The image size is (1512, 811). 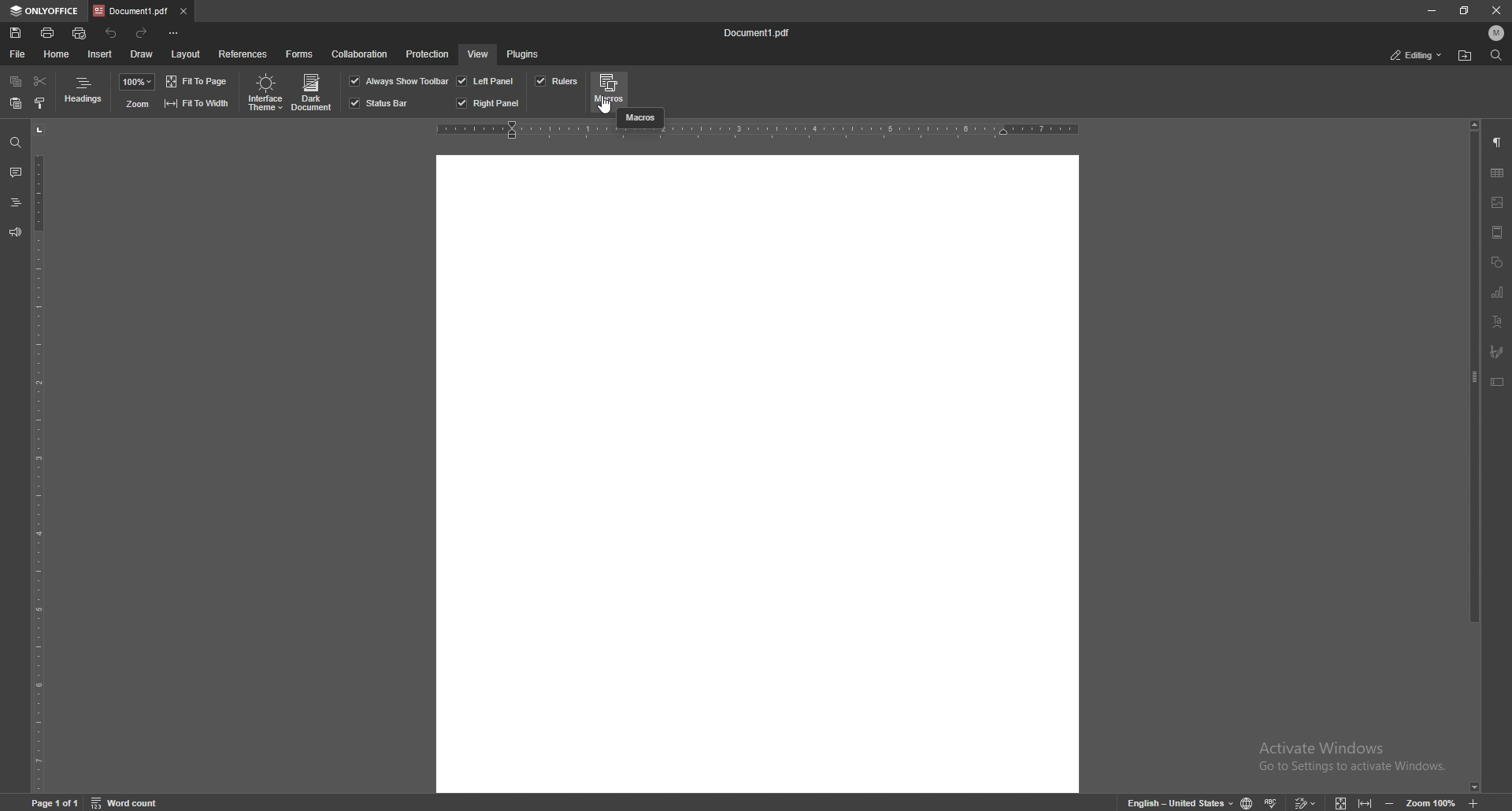 What do you see at coordinates (362, 55) in the screenshot?
I see `collaboration` at bounding box center [362, 55].